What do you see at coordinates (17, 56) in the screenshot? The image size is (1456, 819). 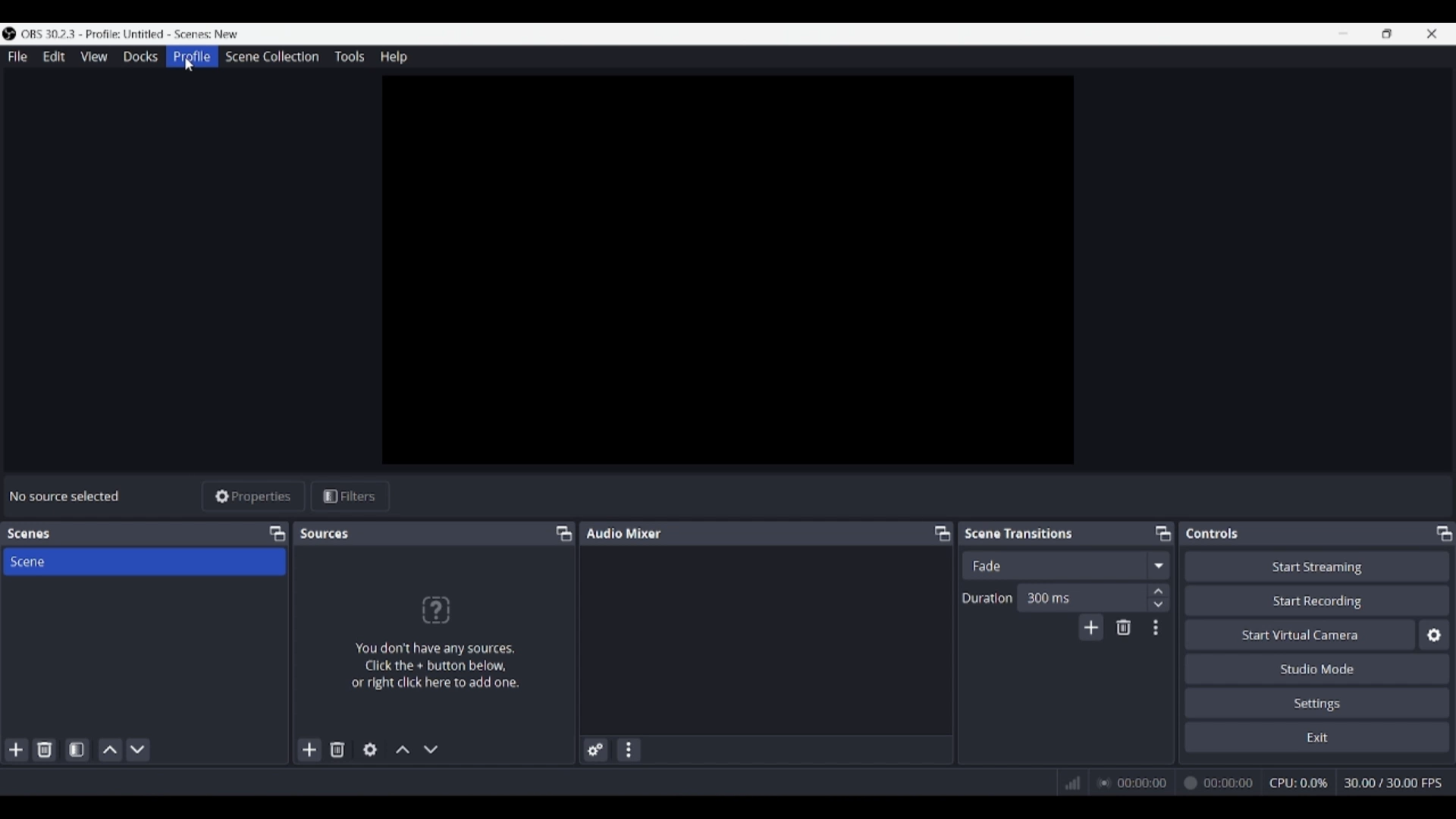 I see `File menu` at bounding box center [17, 56].